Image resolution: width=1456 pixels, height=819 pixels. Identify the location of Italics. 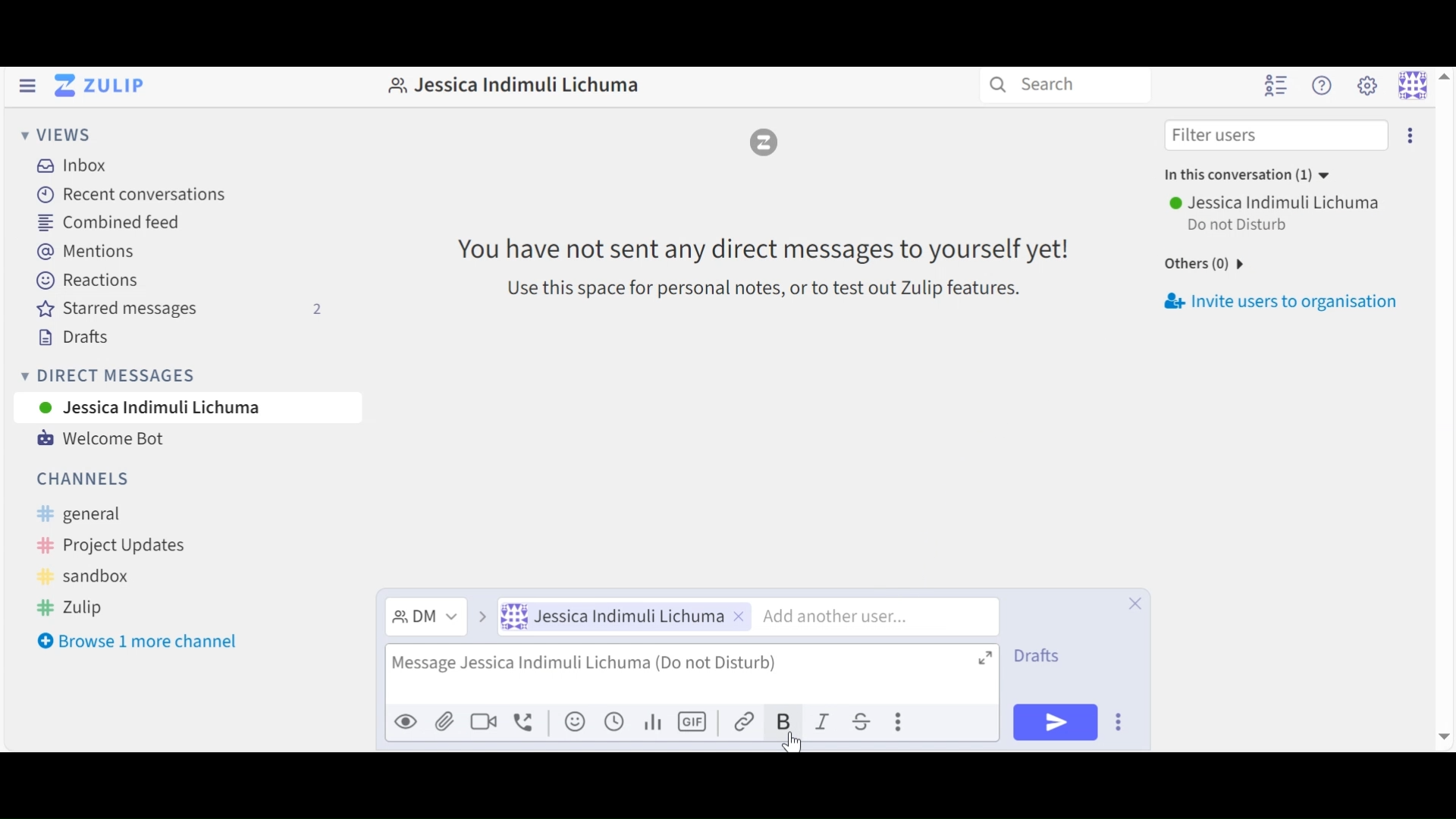
(827, 721).